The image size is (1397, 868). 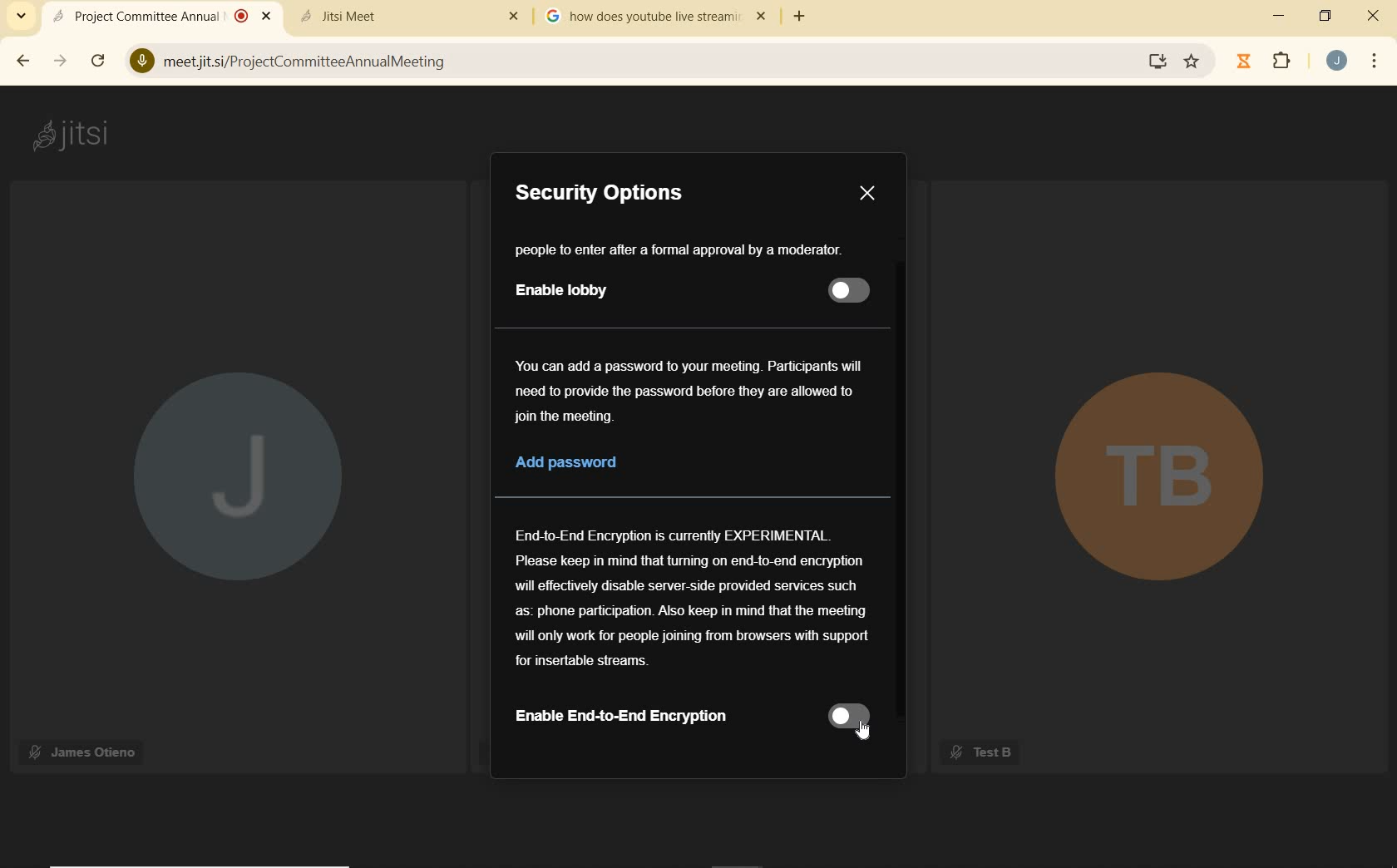 I want to click on MINIMIZE, so click(x=1281, y=18).